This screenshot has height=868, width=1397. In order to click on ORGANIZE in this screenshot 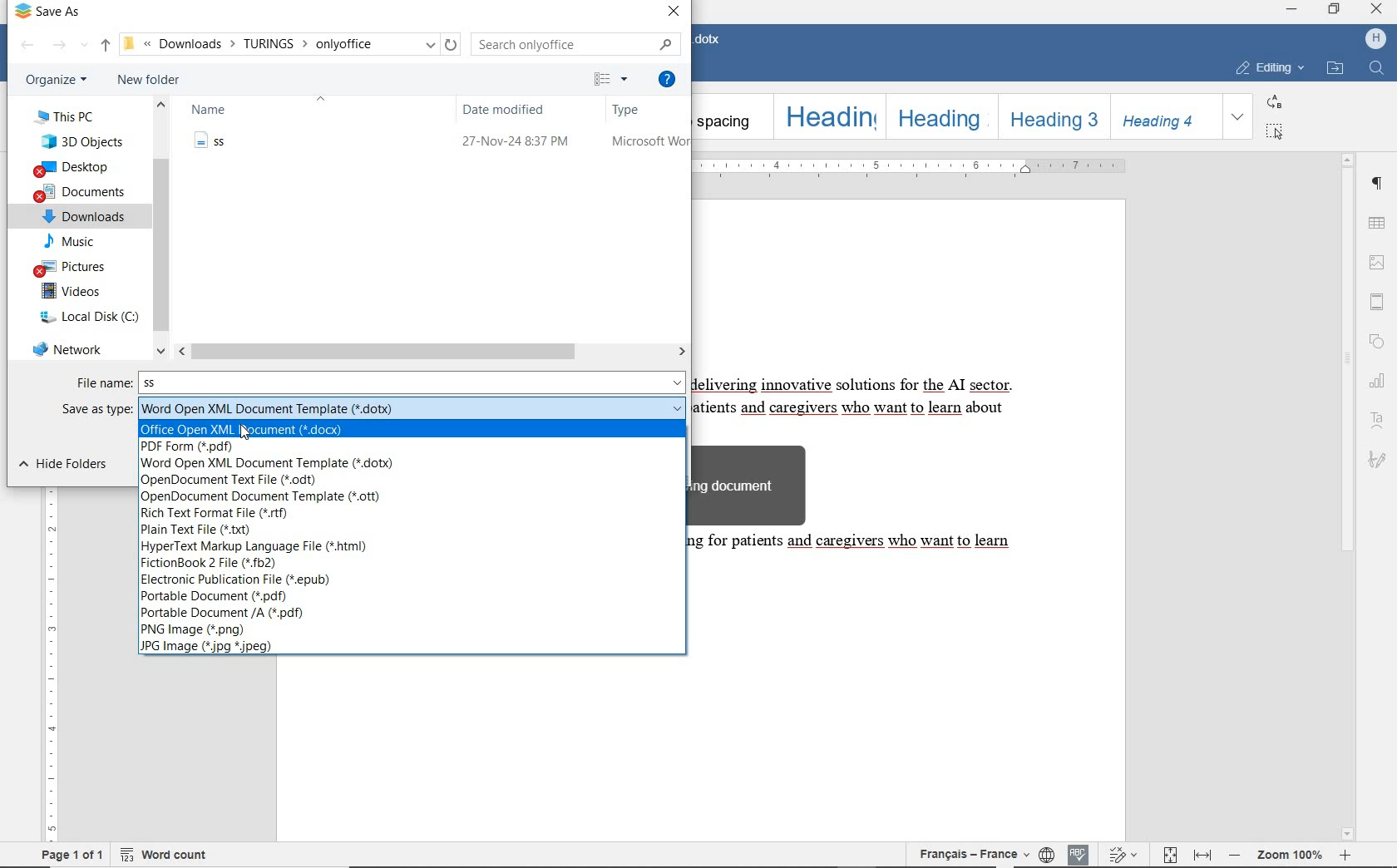, I will do `click(56, 81)`.